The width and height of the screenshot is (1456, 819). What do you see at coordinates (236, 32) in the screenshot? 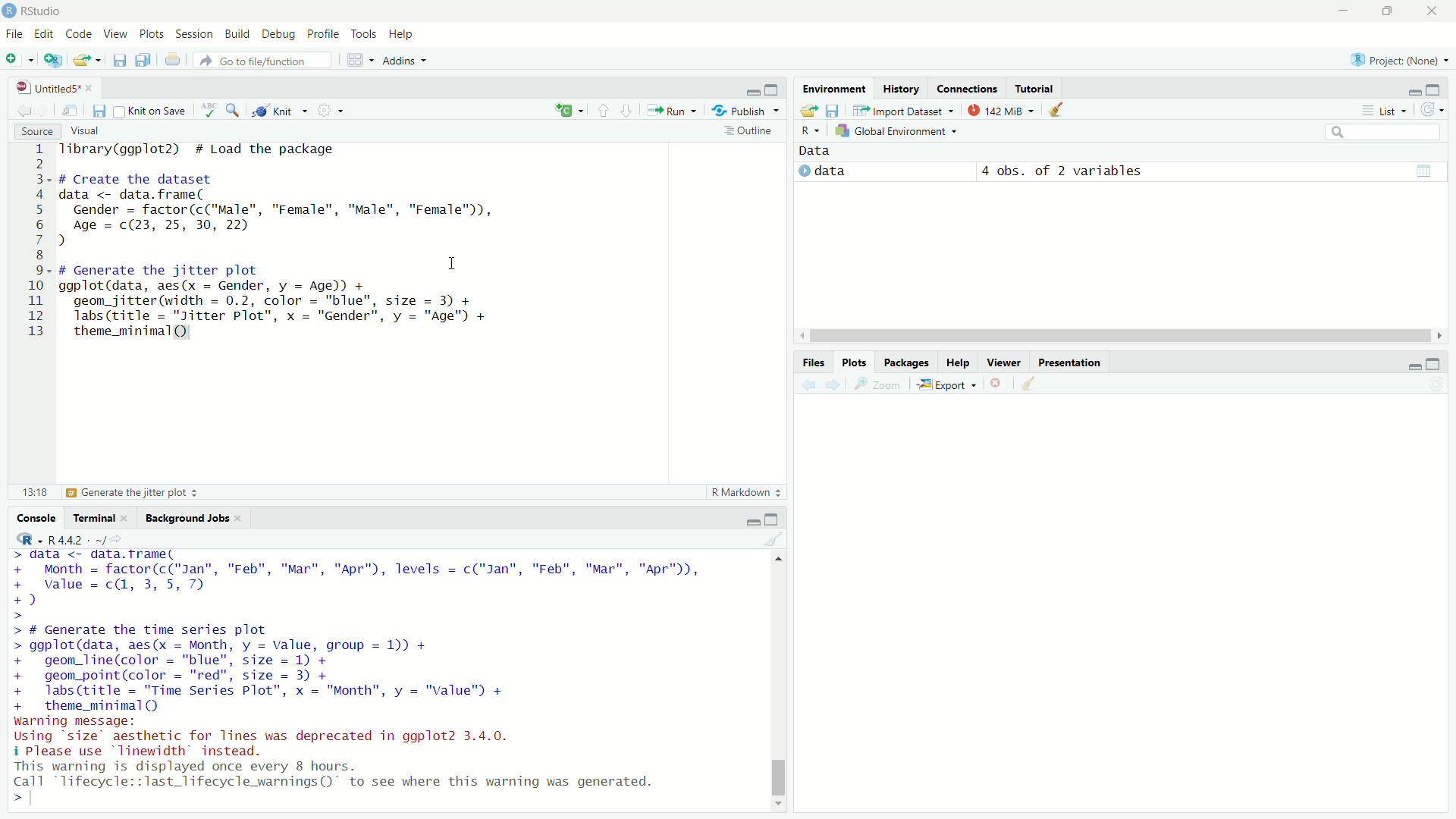
I see `build` at bounding box center [236, 32].